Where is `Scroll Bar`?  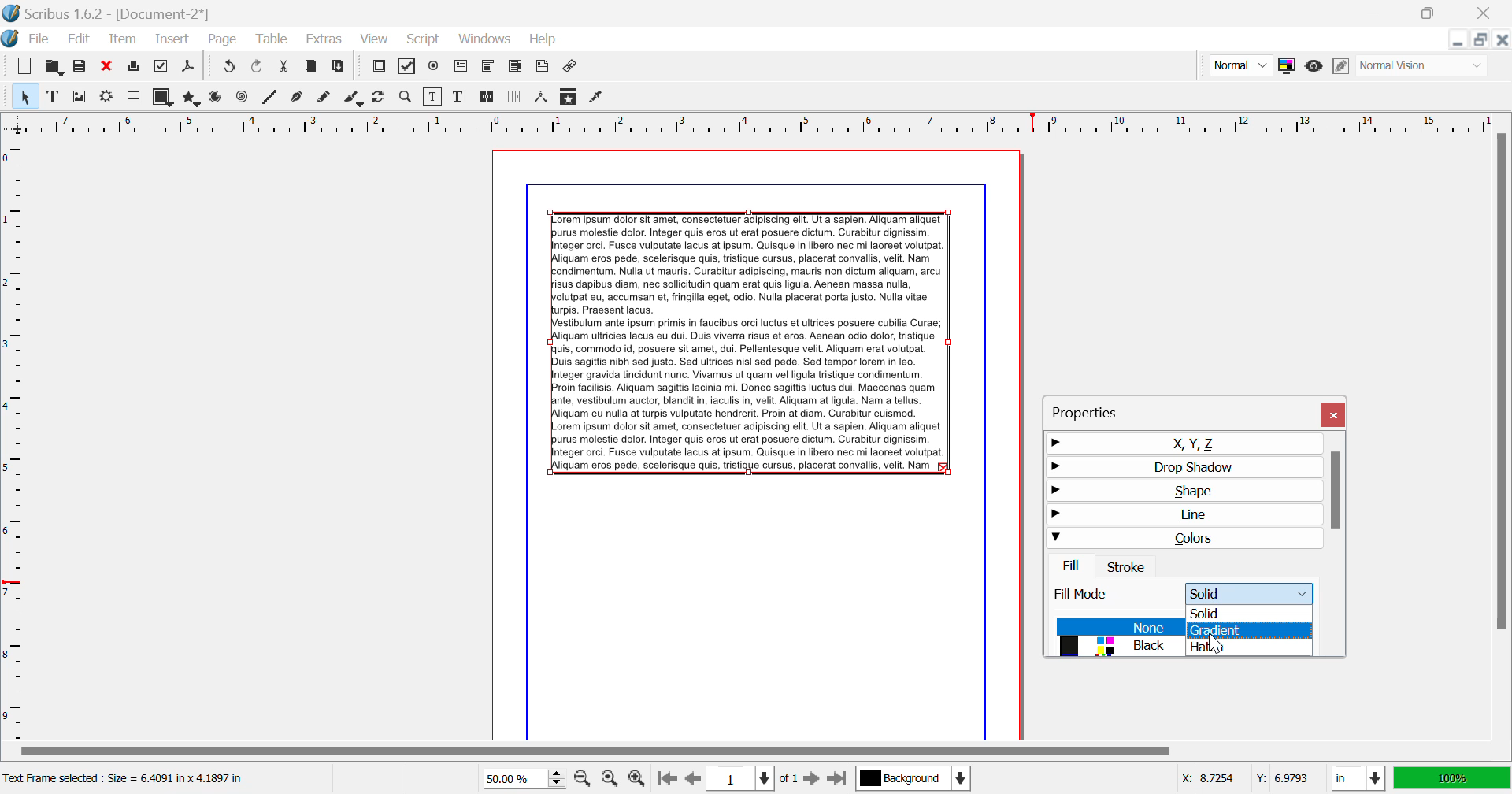
Scroll Bar is located at coordinates (1502, 435).